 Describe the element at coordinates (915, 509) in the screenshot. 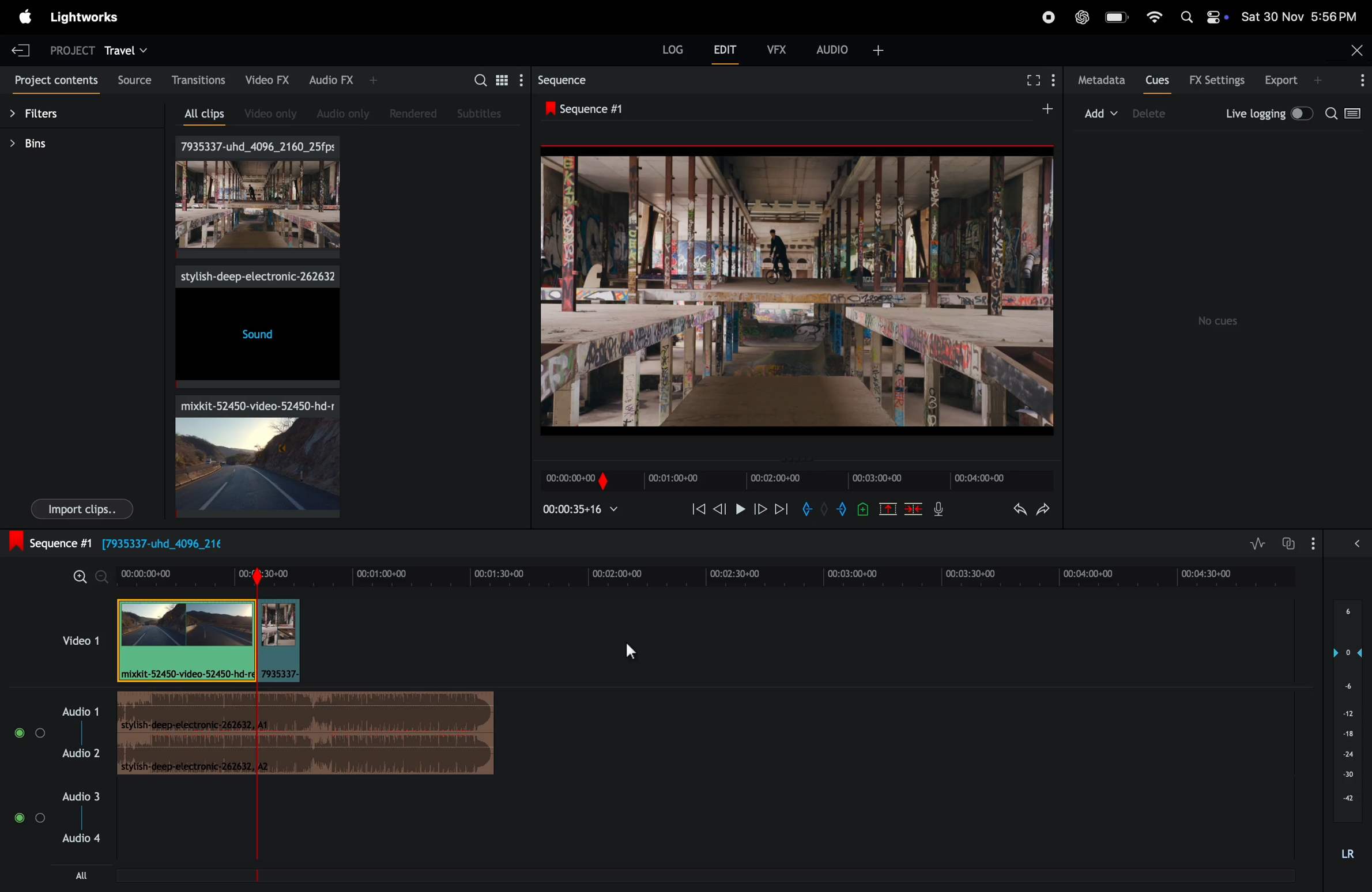

I see `delete` at that location.